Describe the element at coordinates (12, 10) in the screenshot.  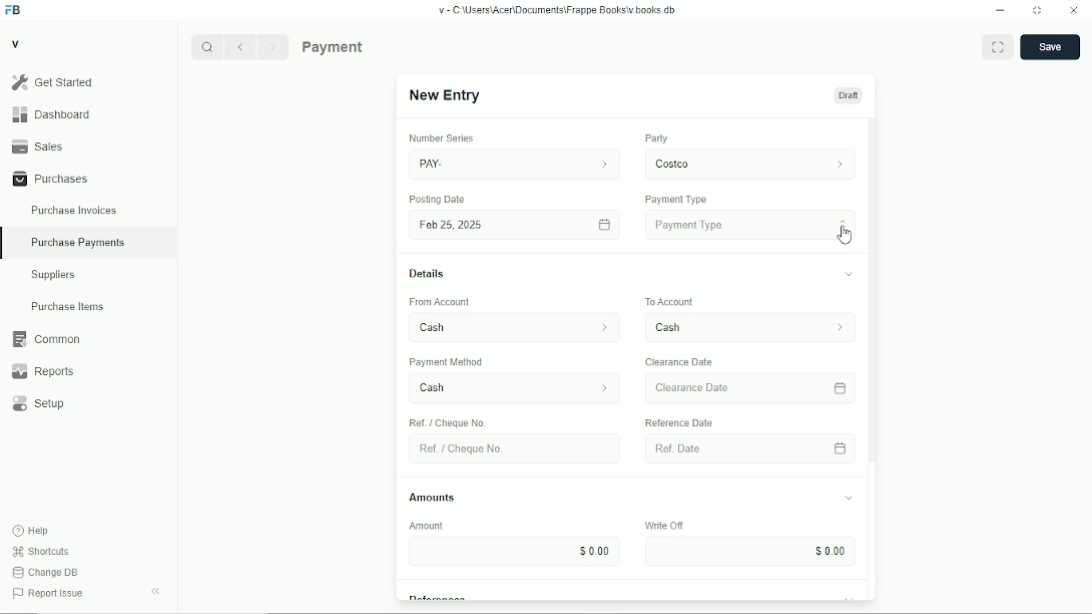
I see `Frappe Books logo` at that location.